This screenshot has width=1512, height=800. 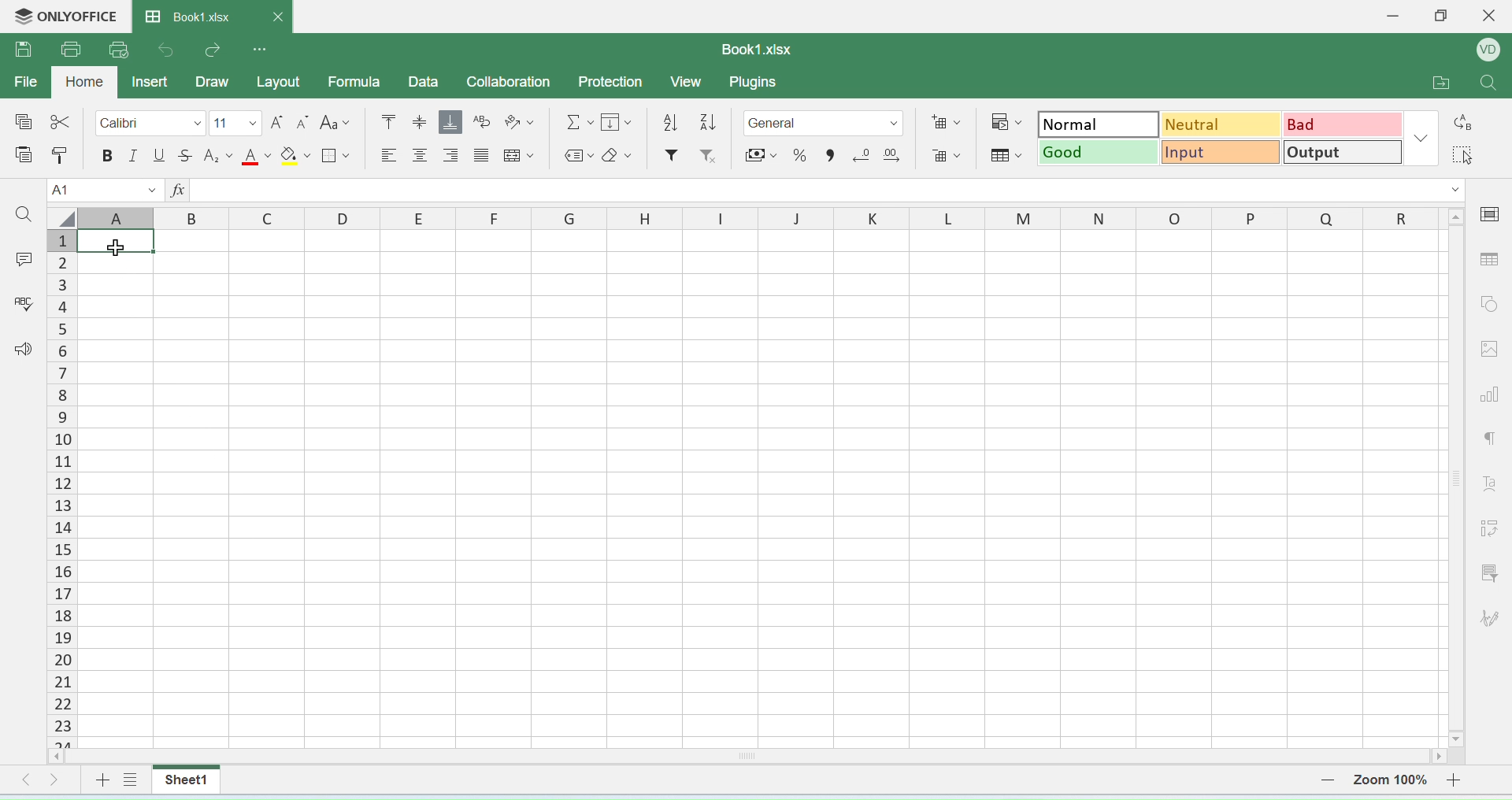 I want to click on calibri, so click(x=152, y=124).